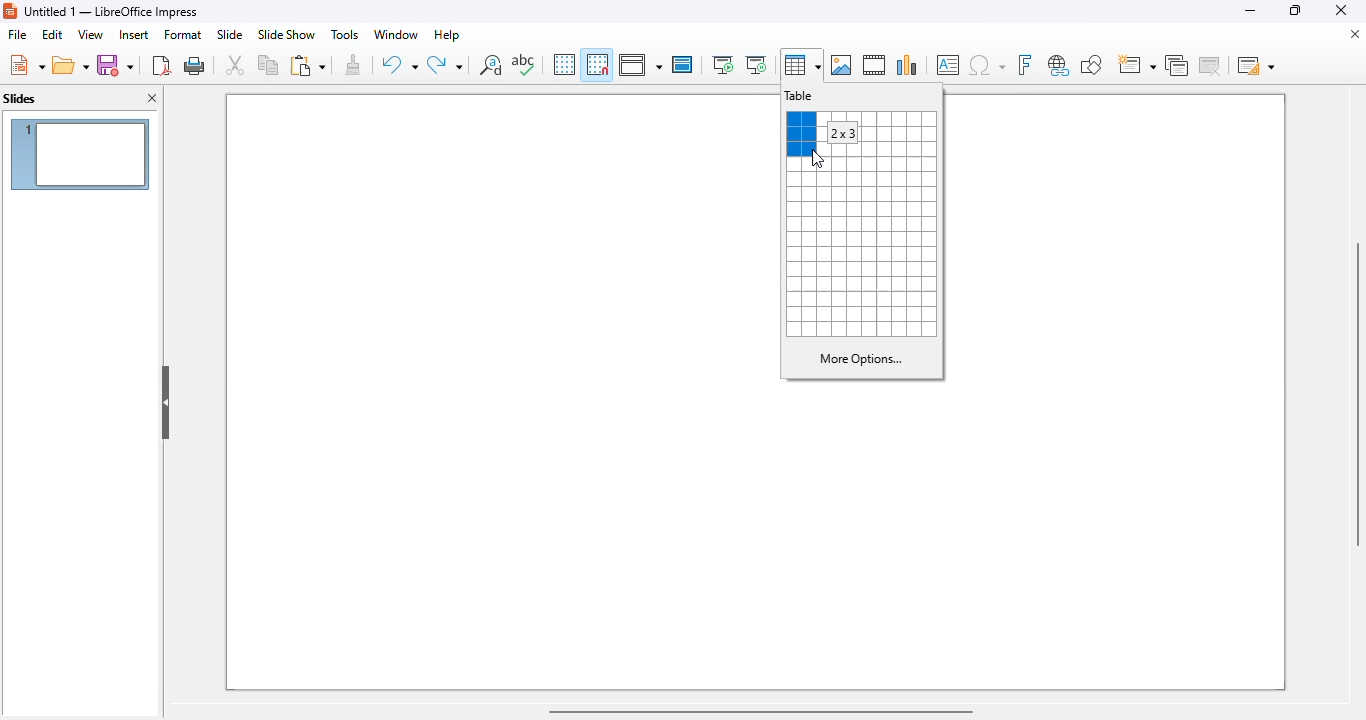  I want to click on more options, so click(862, 358).